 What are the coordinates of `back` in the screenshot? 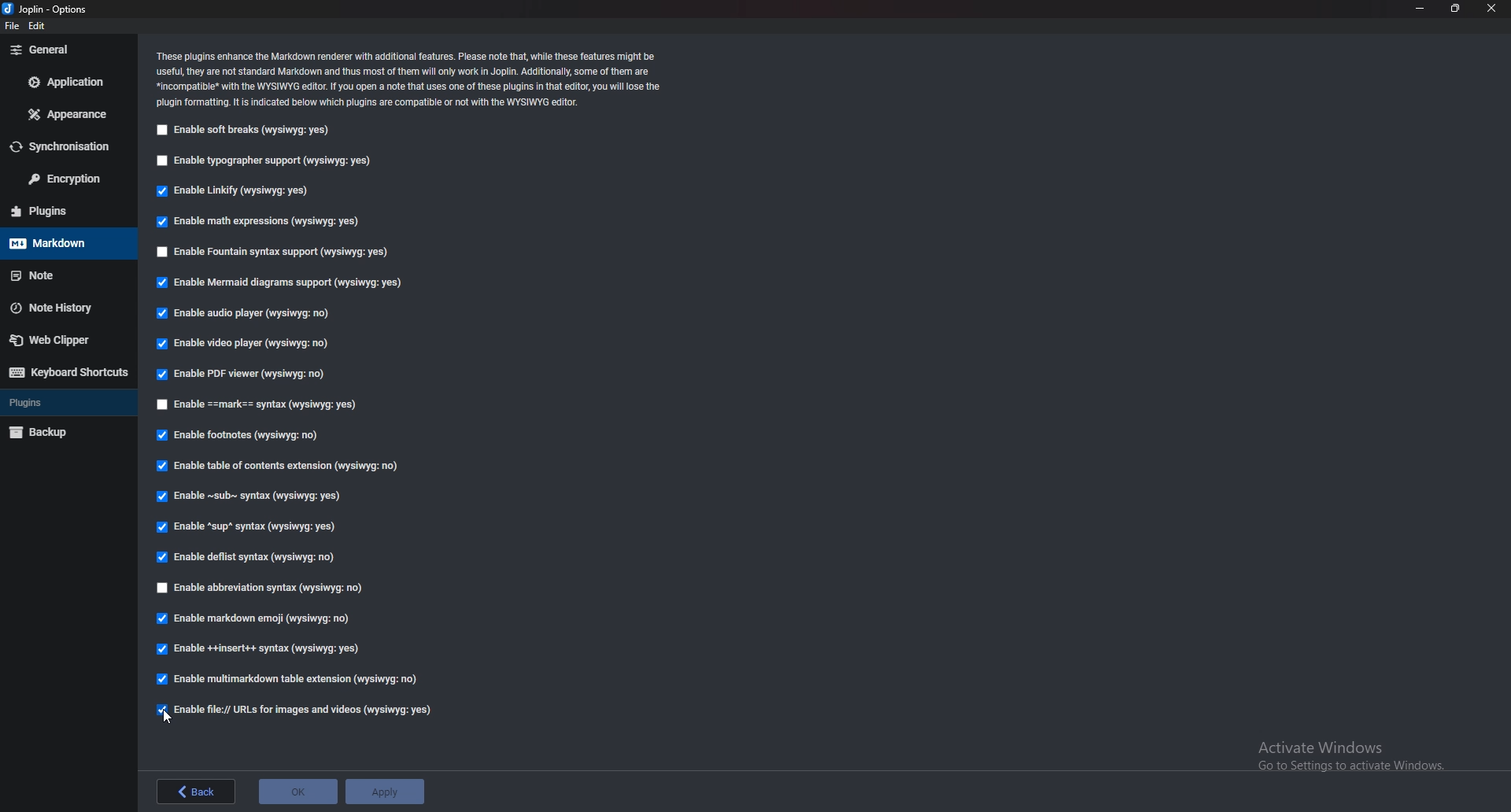 It's located at (198, 792).